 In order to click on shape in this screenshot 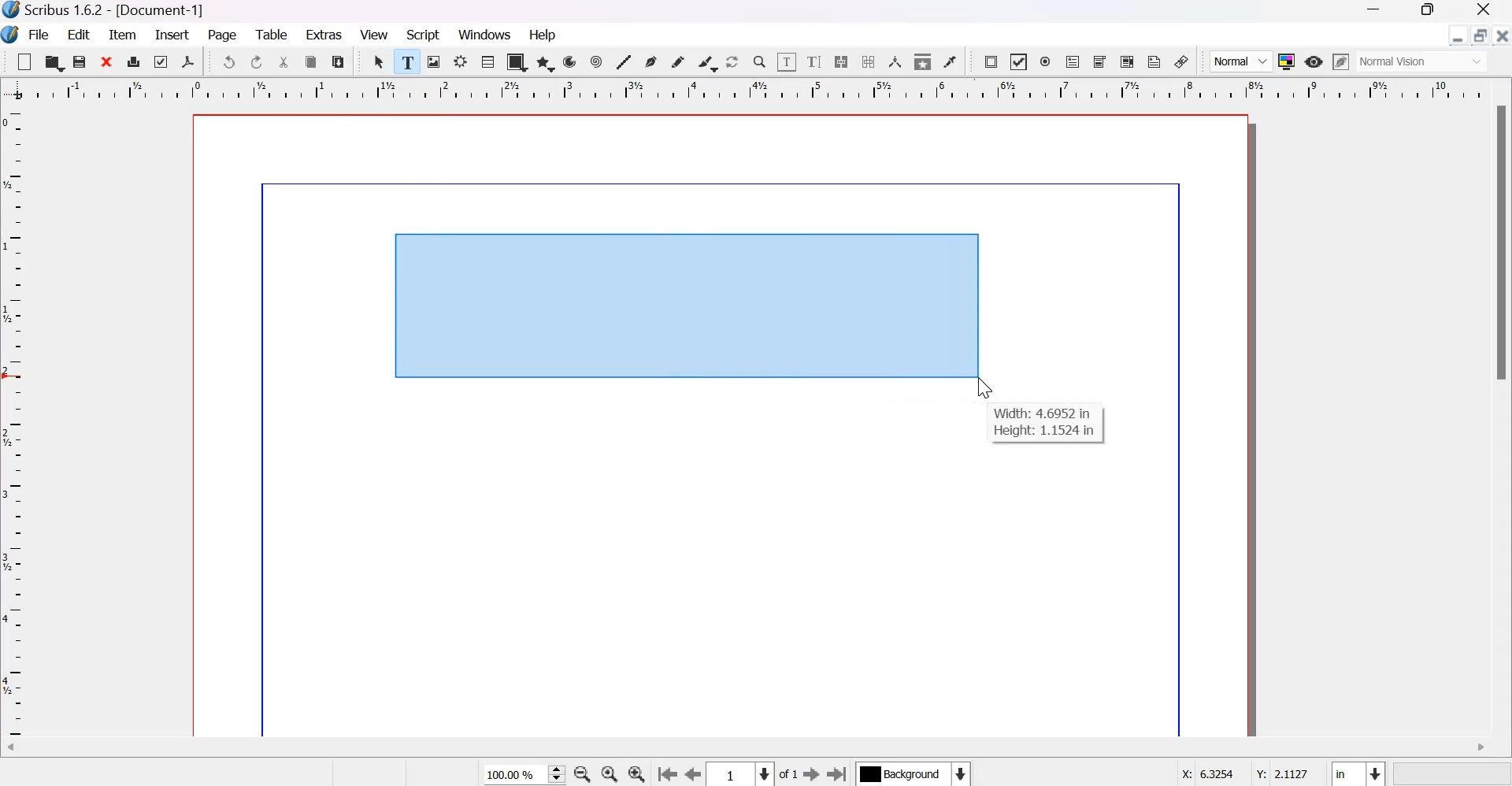, I will do `click(517, 61)`.